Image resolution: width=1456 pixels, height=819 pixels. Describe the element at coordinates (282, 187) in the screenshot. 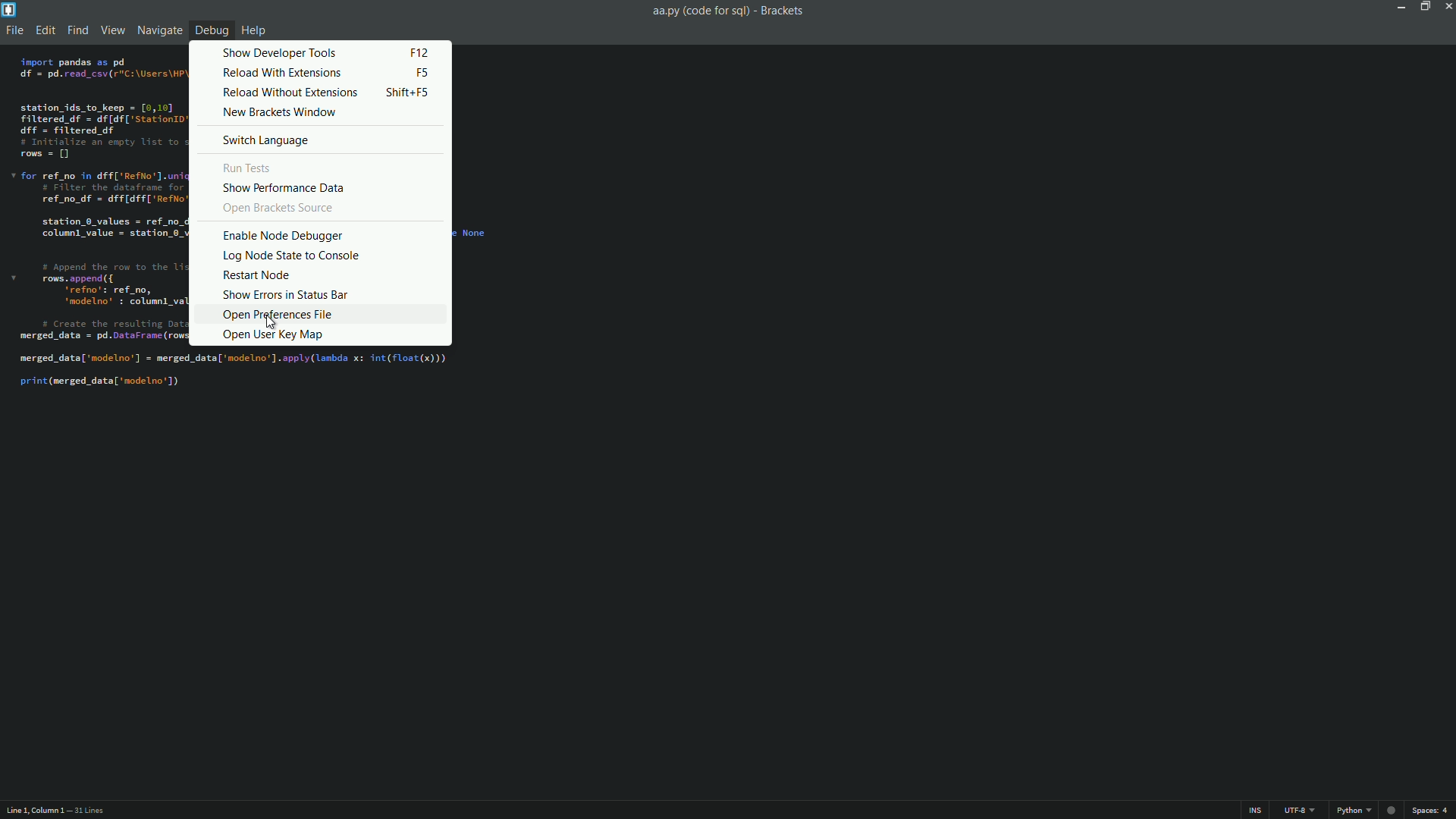

I see `show performance data` at that location.